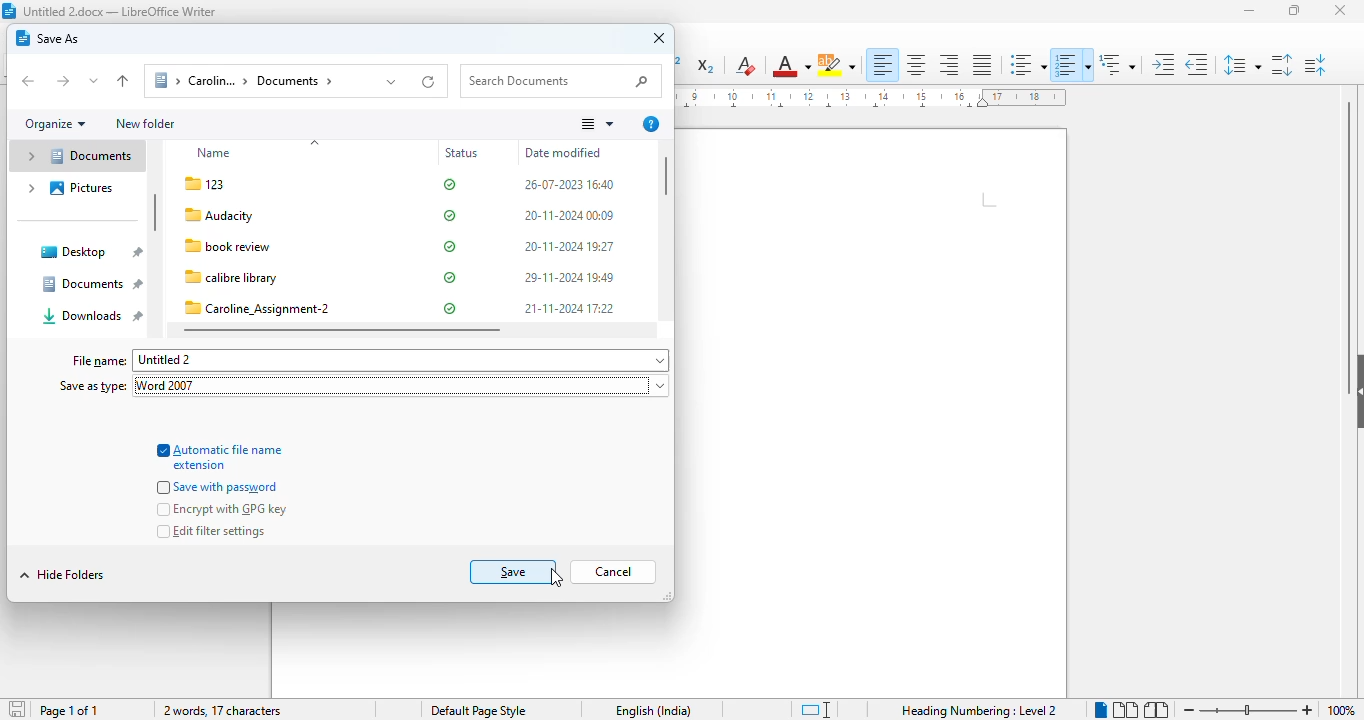 Image resolution: width=1364 pixels, height=720 pixels. Describe the element at coordinates (220, 456) in the screenshot. I see `automatic file name extension` at that location.